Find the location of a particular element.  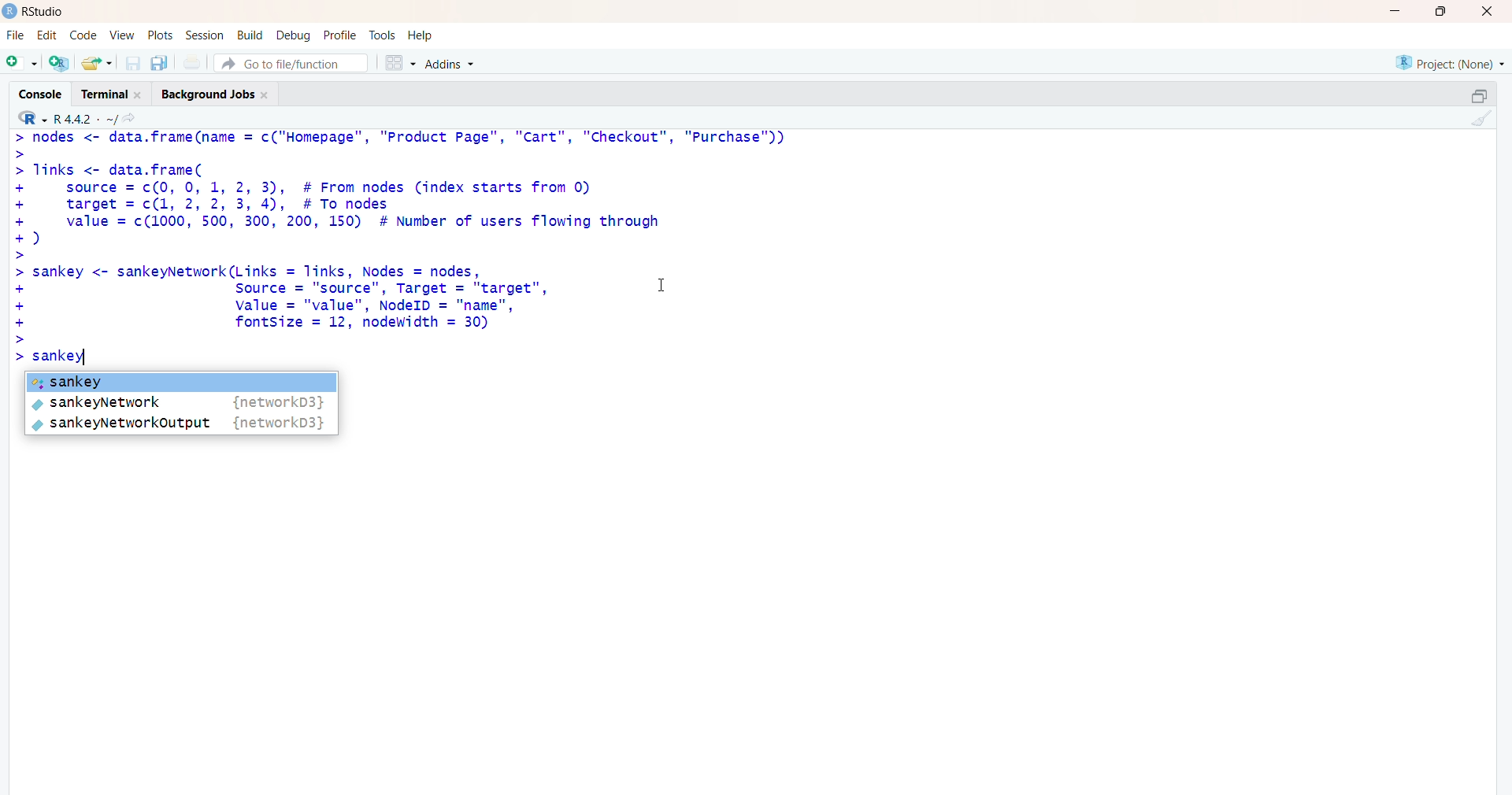

clear is located at coordinates (1486, 121).